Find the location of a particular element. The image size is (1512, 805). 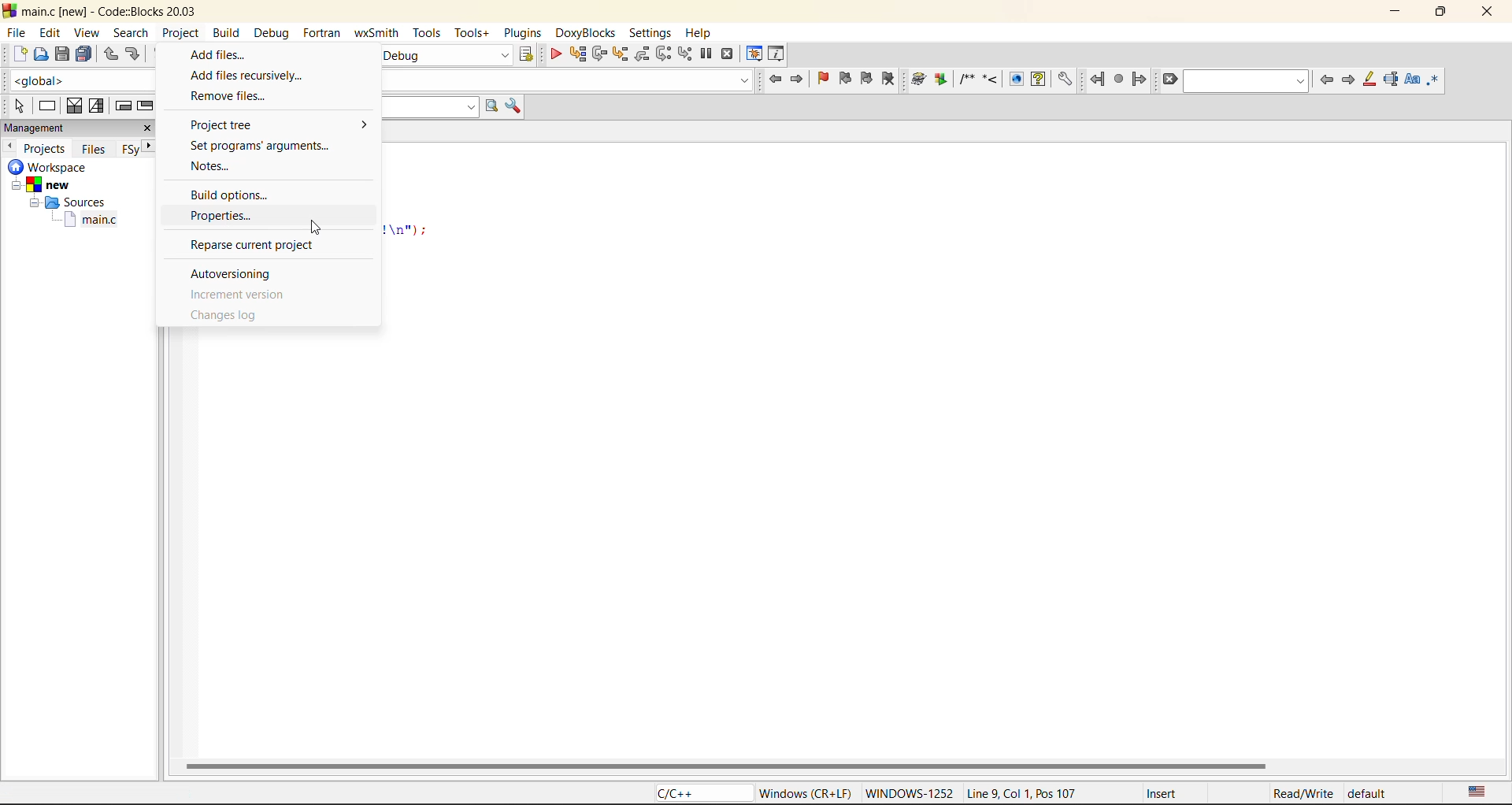

fortran is located at coordinates (322, 31).